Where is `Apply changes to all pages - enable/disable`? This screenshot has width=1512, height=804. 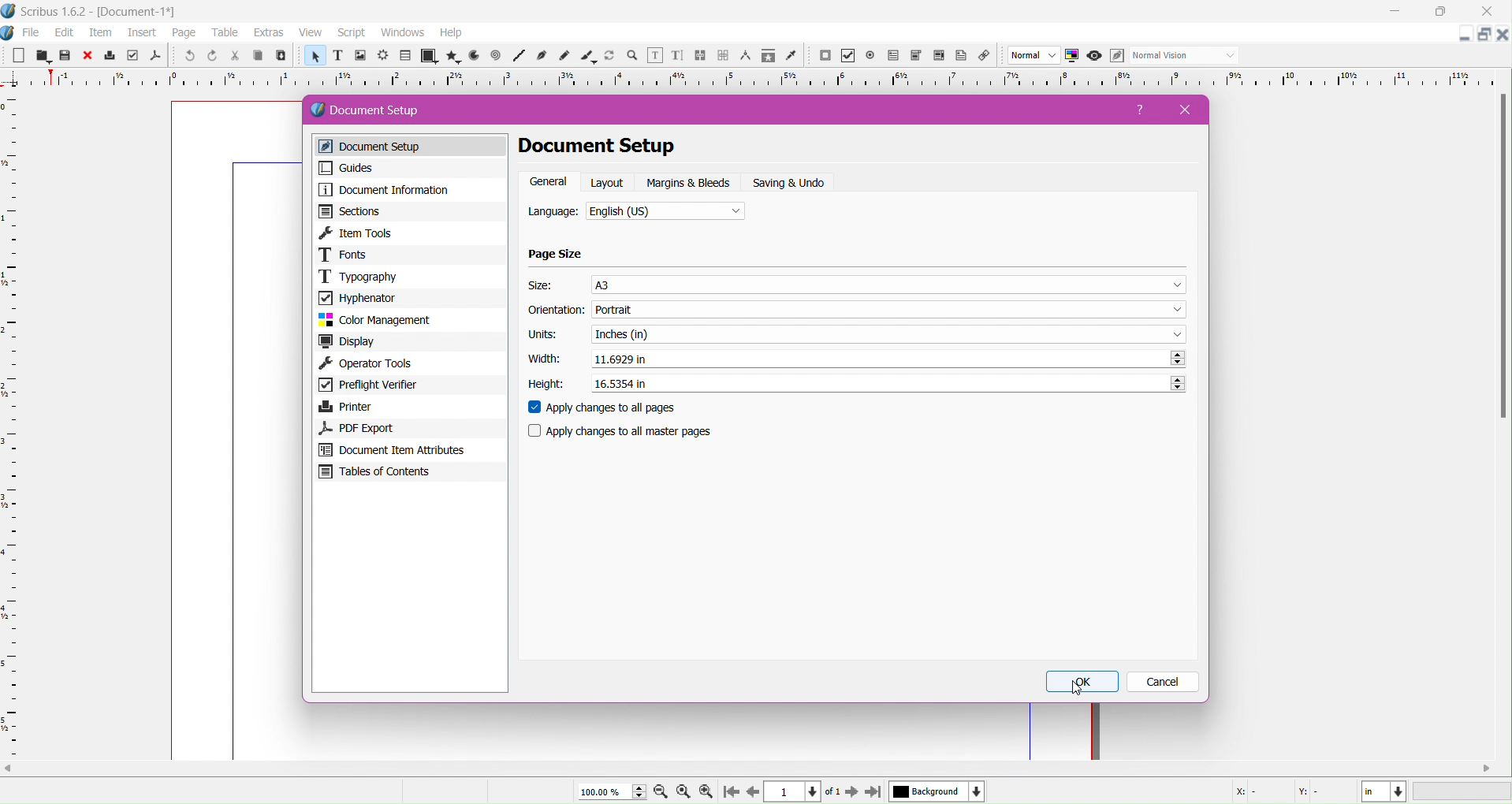 Apply changes to all pages - enable/disable is located at coordinates (606, 409).